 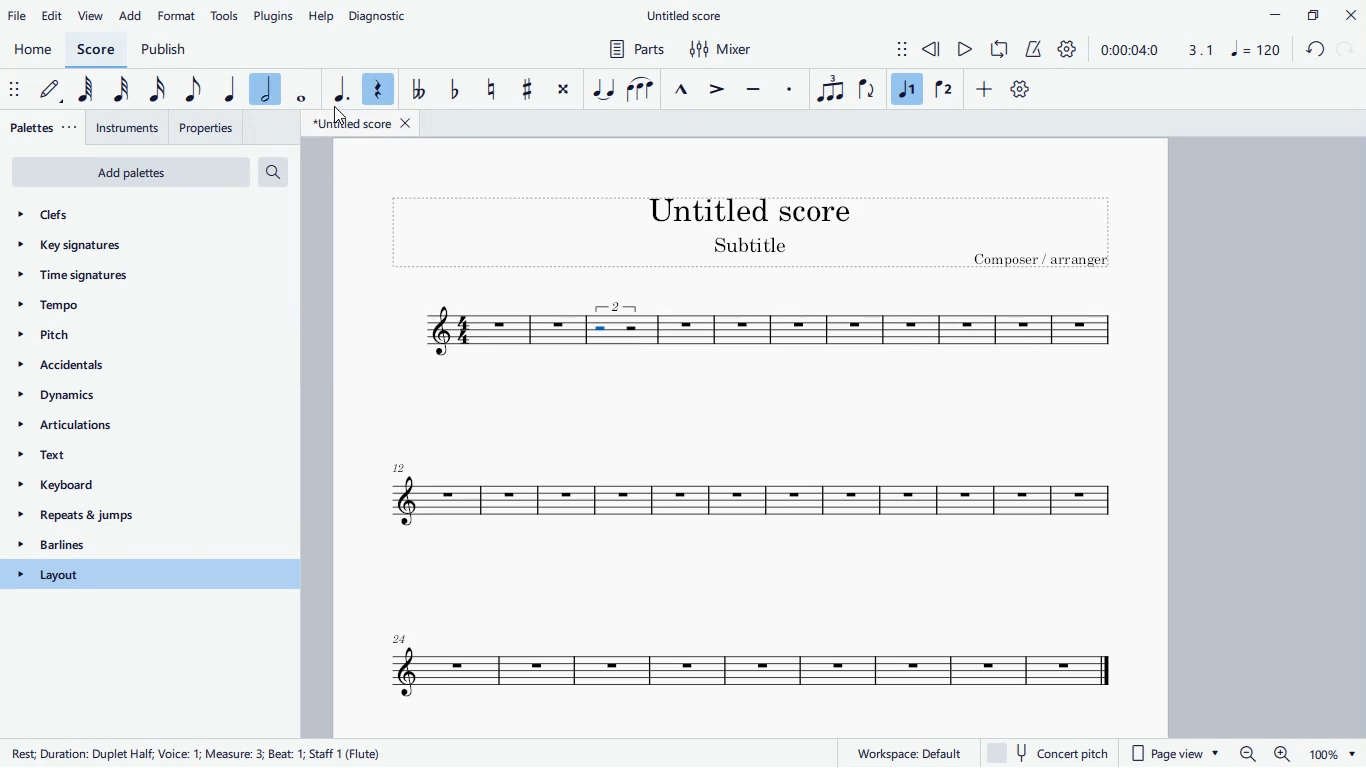 What do you see at coordinates (943, 91) in the screenshot?
I see `voice 2` at bounding box center [943, 91].